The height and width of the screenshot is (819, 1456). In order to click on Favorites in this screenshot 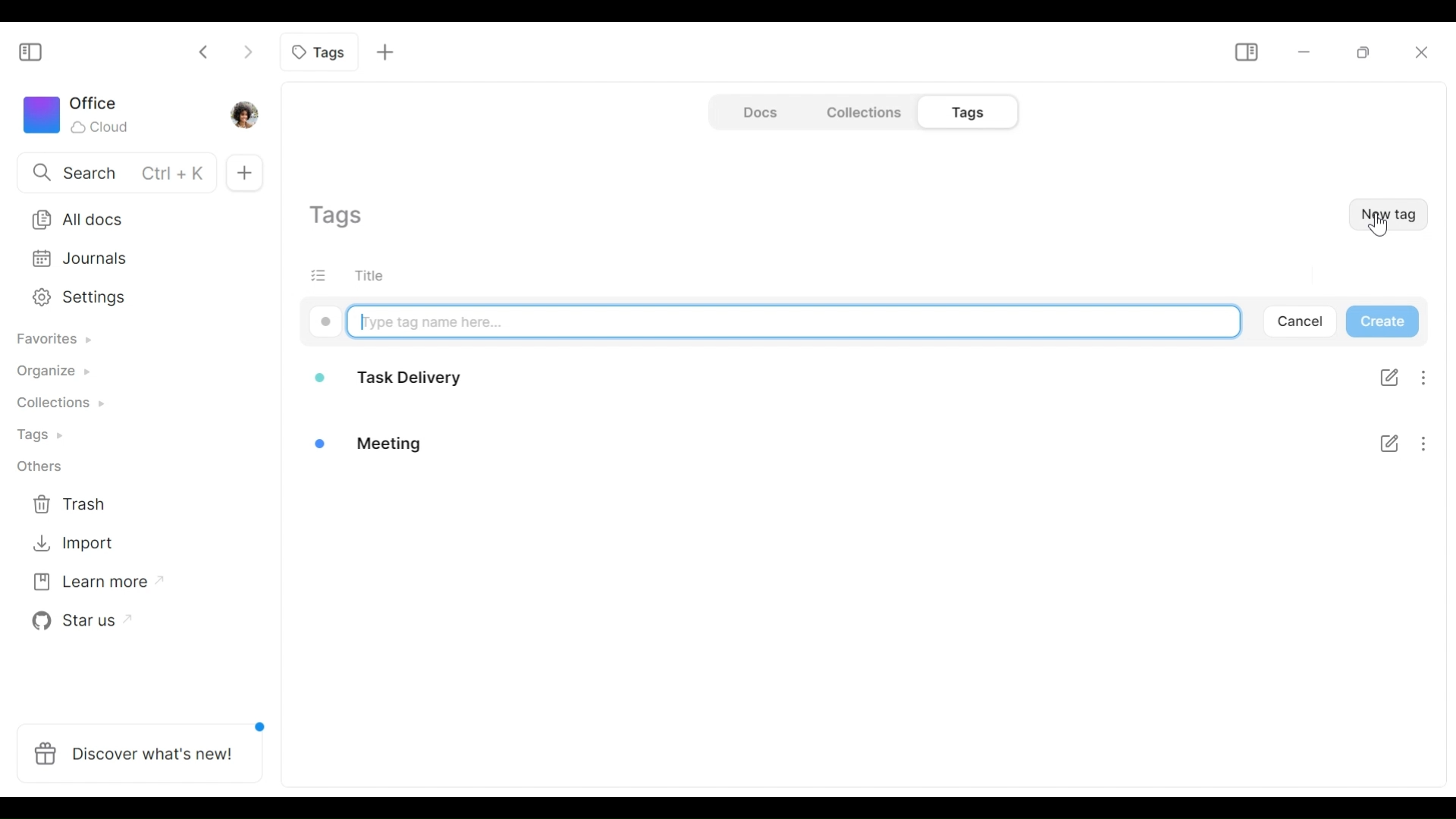, I will do `click(54, 340)`.